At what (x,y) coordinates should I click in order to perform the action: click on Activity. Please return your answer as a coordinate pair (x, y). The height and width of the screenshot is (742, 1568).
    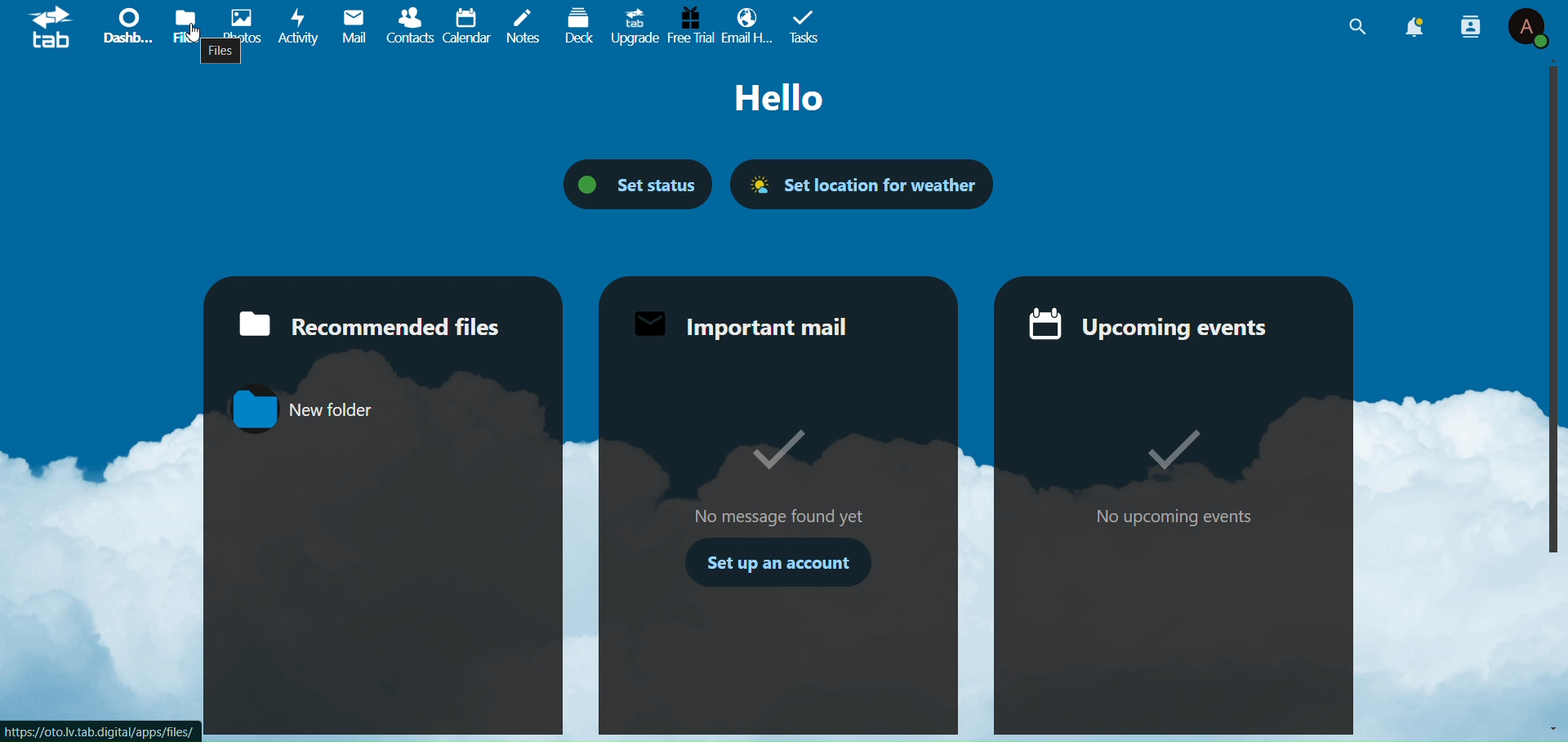
    Looking at the image, I should click on (295, 27).